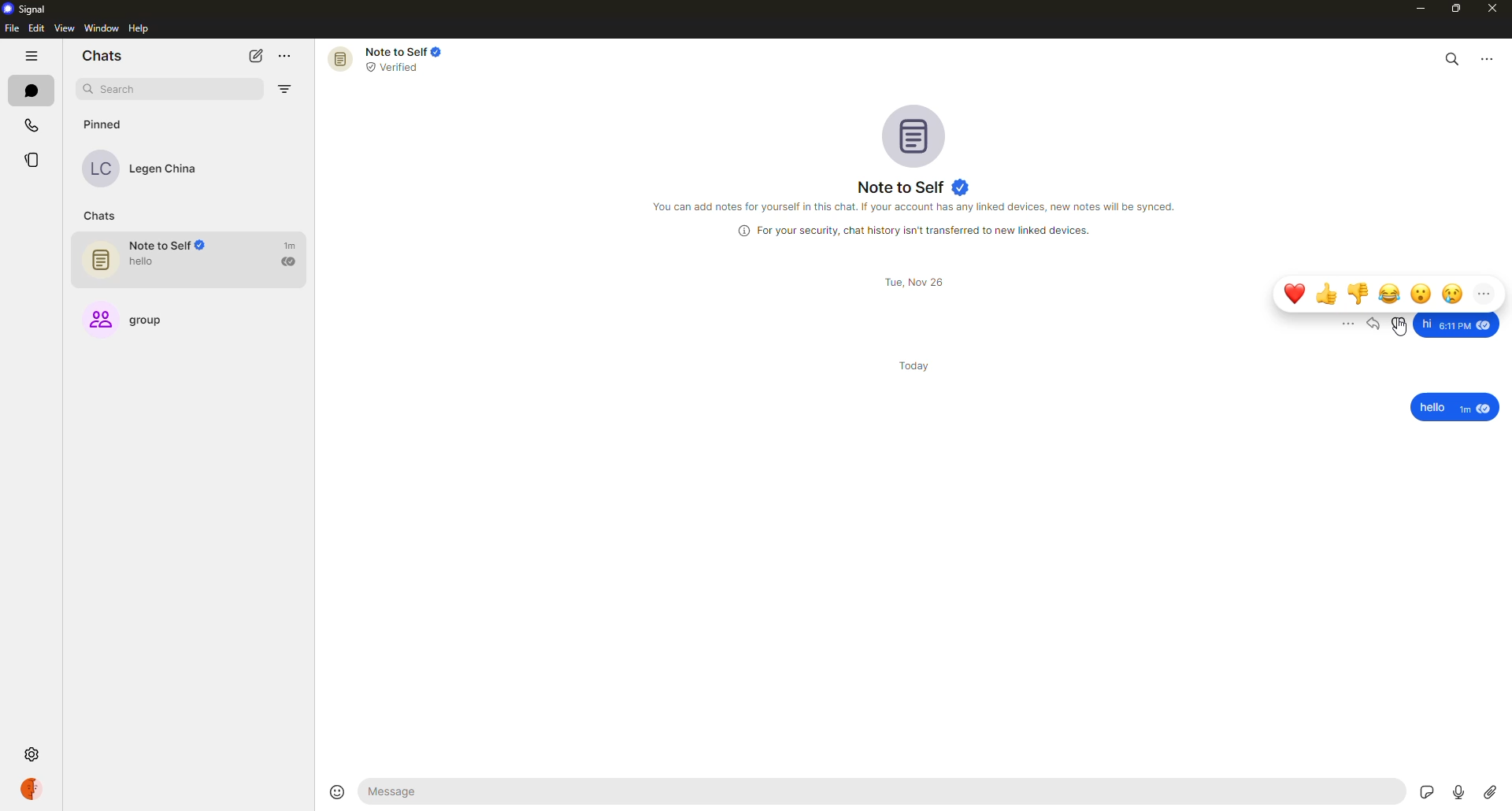  I want to click on search, so click(139, 89).